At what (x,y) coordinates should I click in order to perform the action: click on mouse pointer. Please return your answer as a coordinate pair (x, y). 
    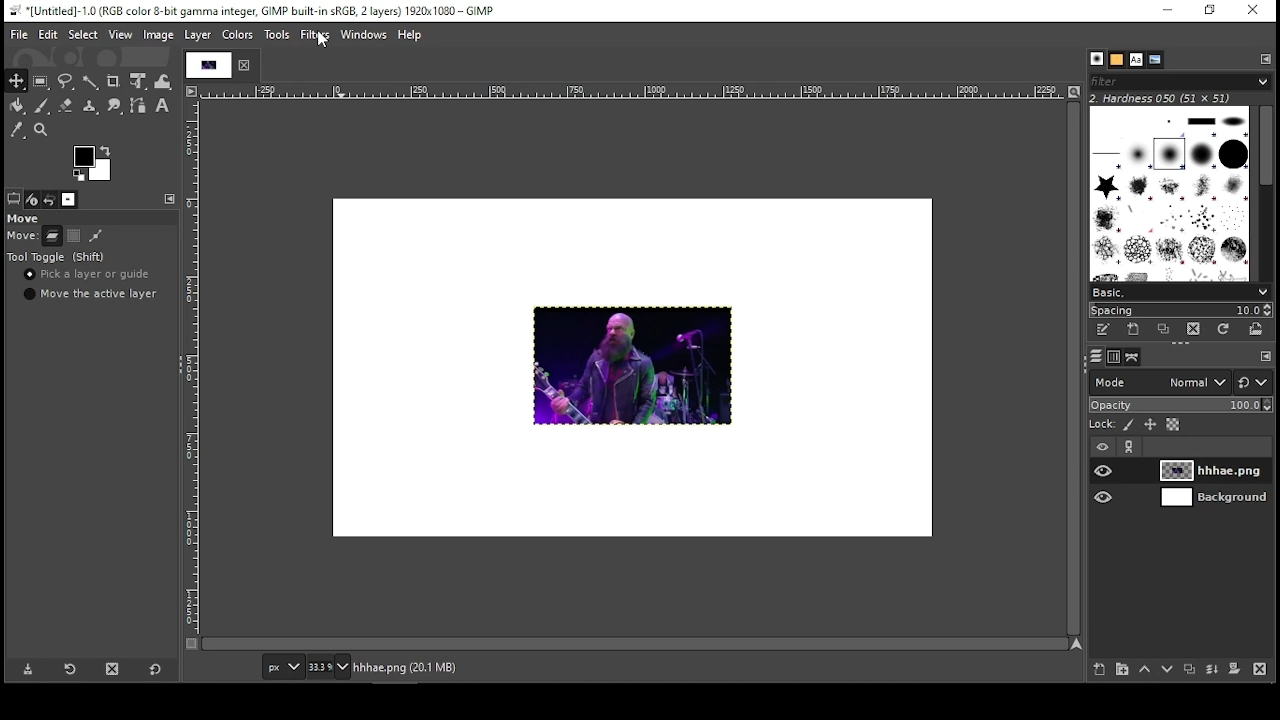
    Looking at the image, I should click on (323, 44).